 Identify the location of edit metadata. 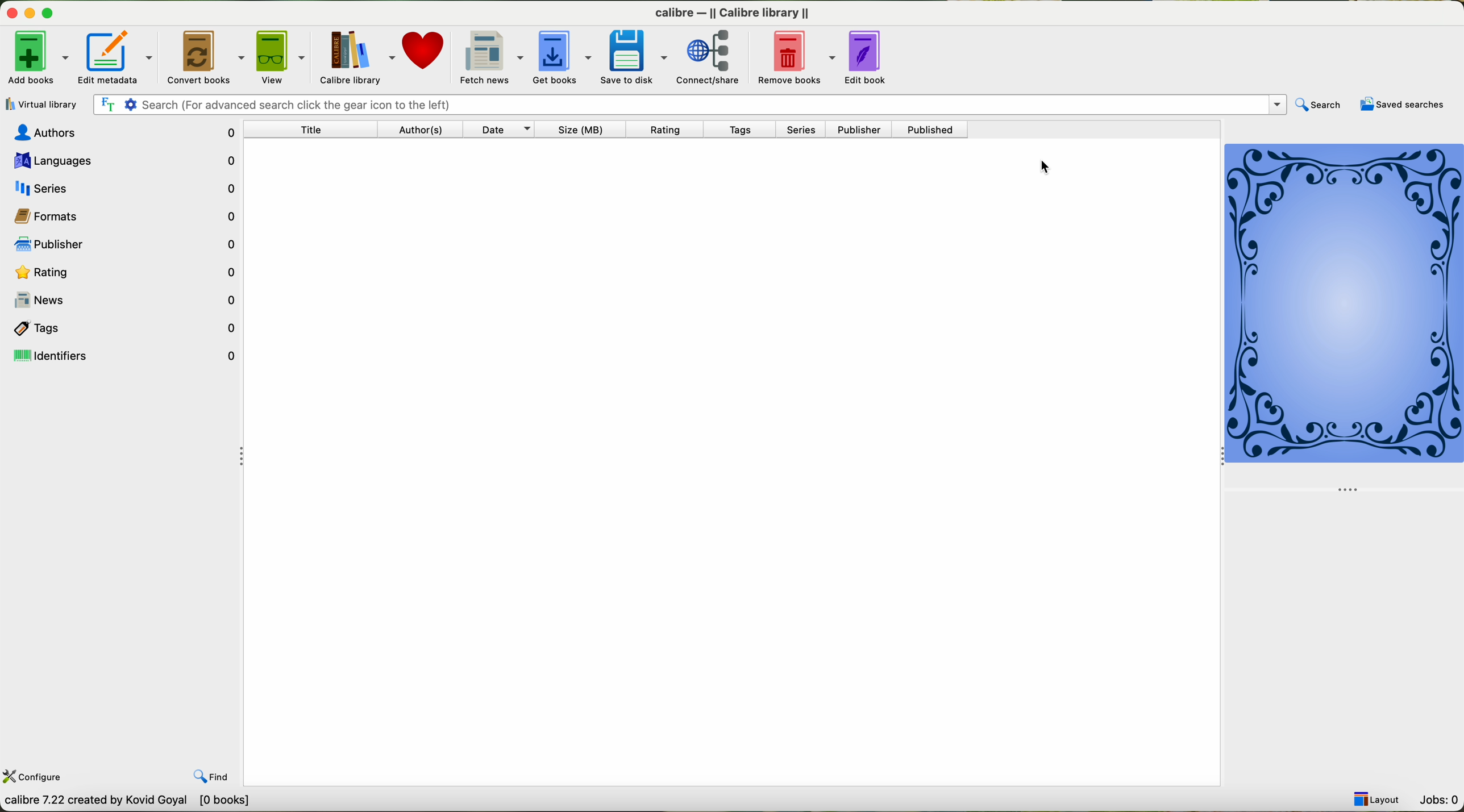
(116, 57).